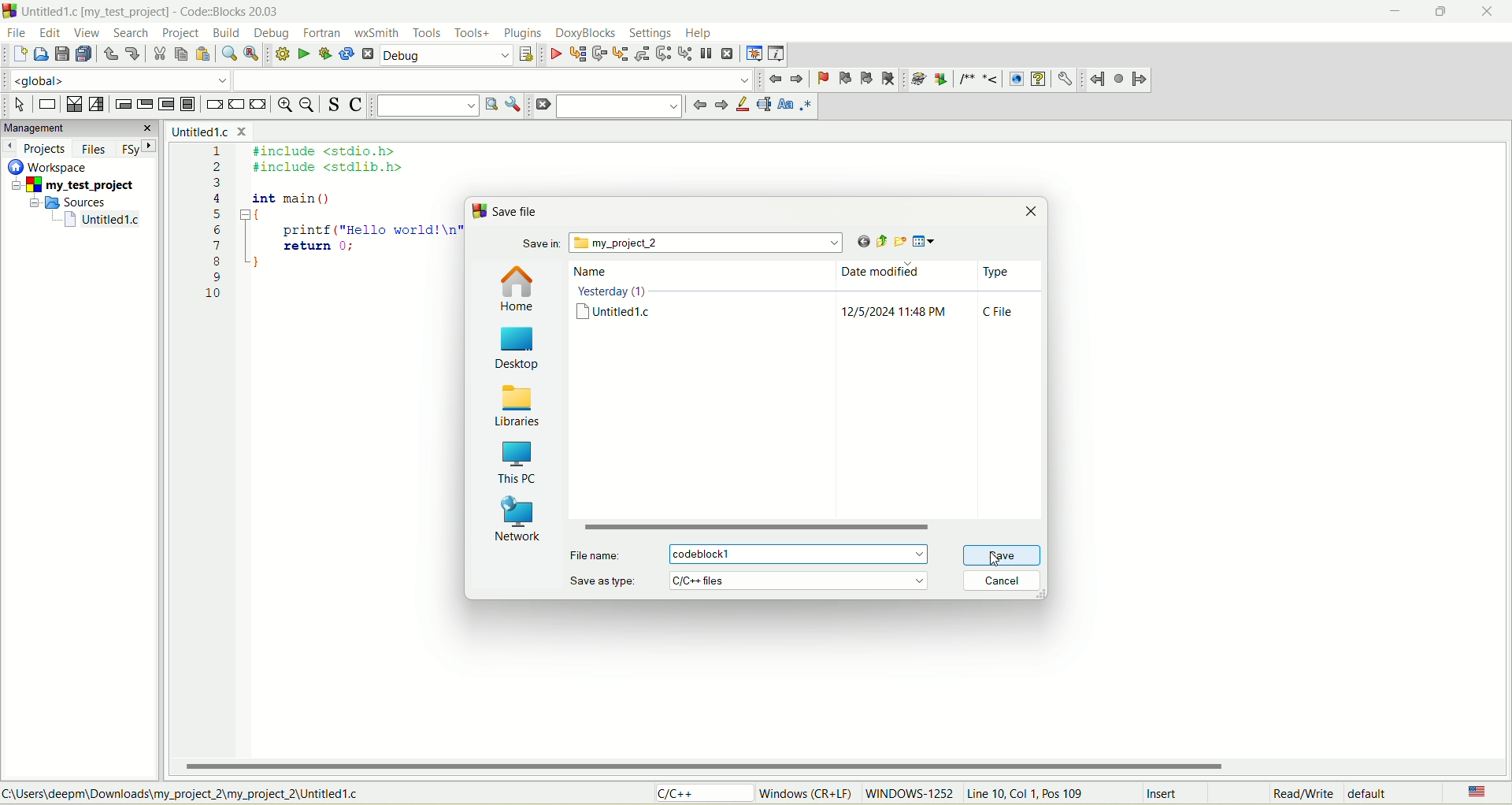 The height and width of the screenshot is (805, 1512). What do you see at coordinates (685, 243) in the screenshot?
I see `save in` at bounding box center [685, 243].